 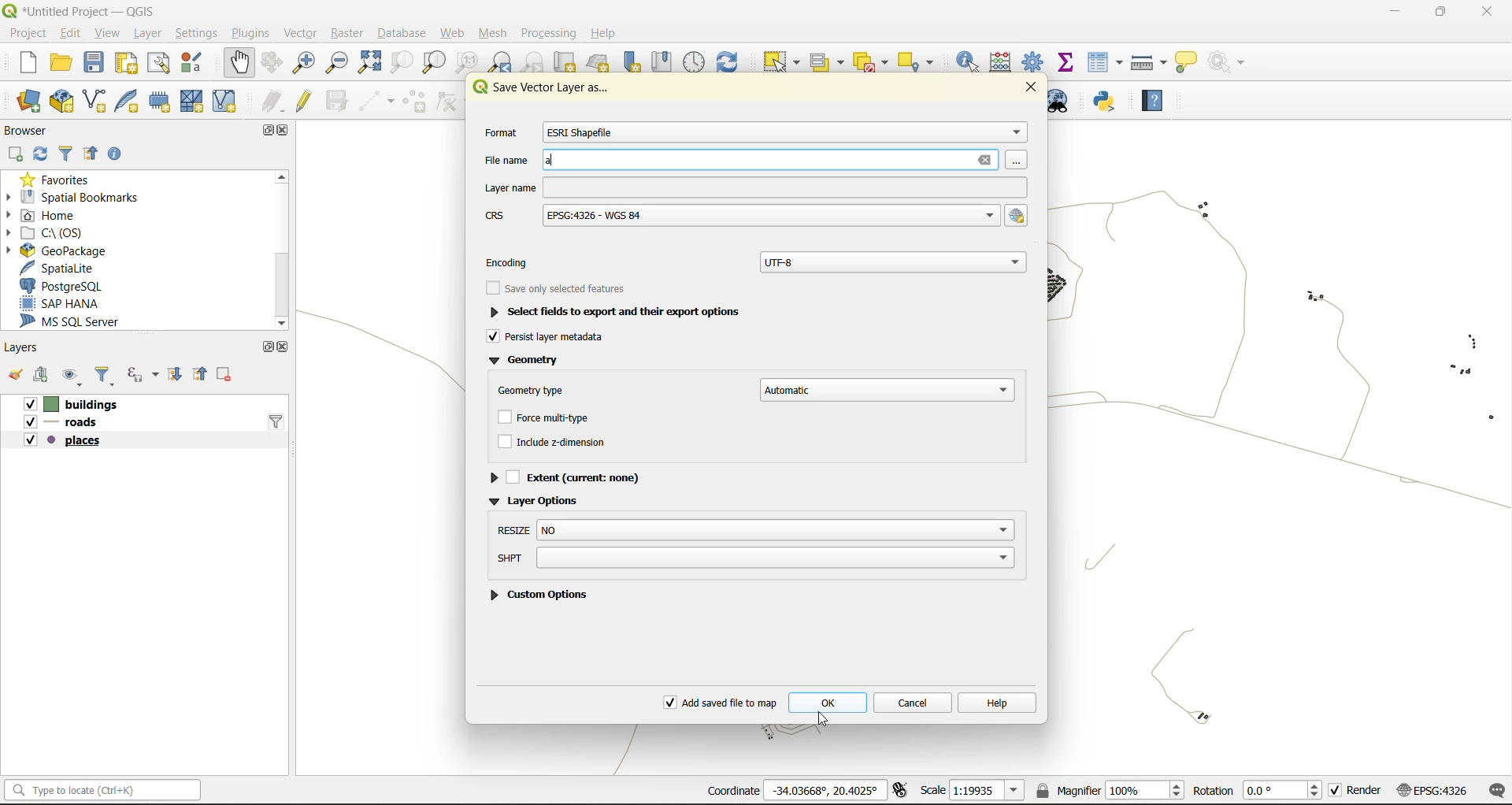 I want to click on scale, so click(x=973, y=792).